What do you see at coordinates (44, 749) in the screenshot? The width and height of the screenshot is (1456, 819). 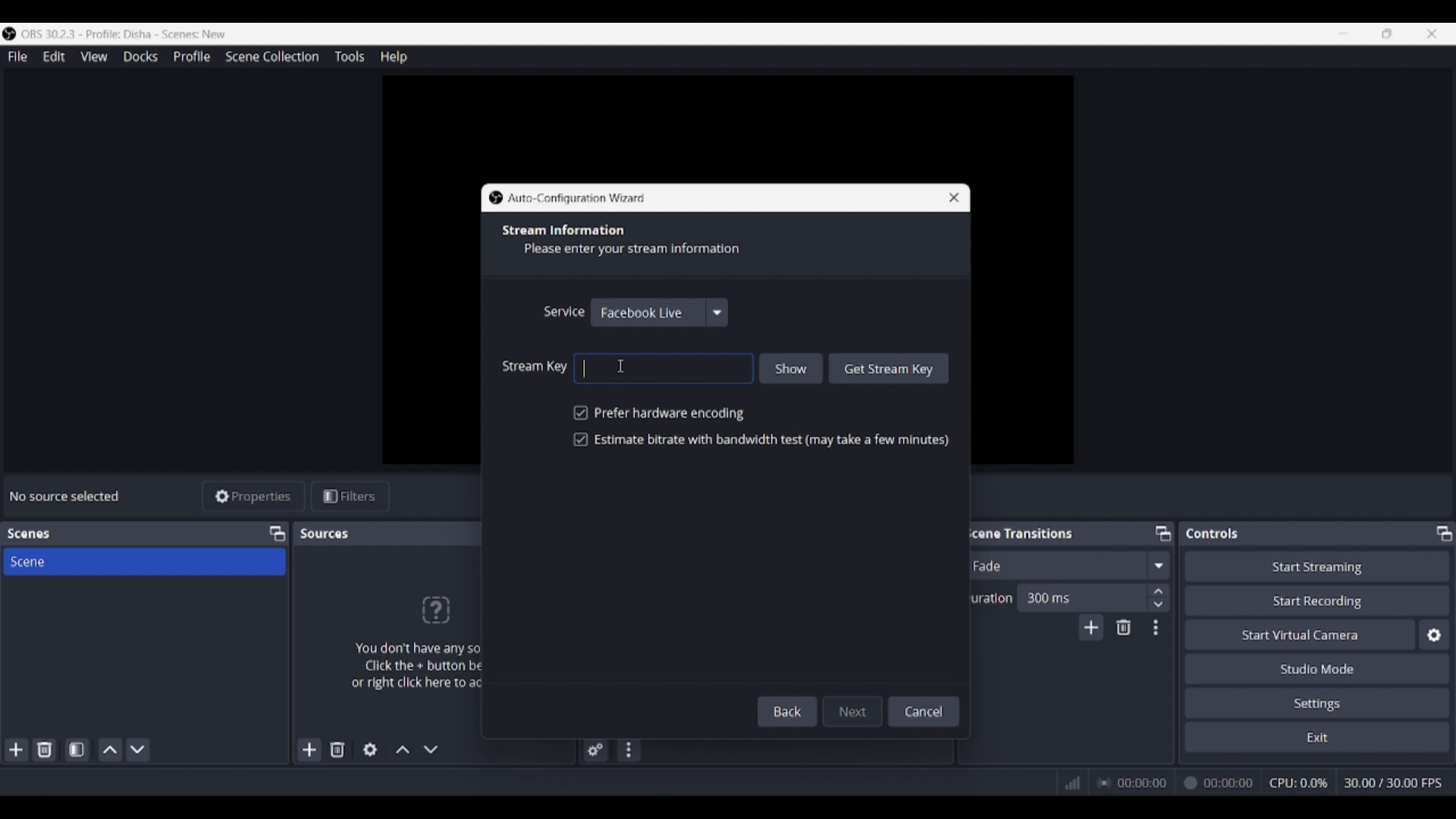 I see `Delete selected scene` at bounding box center [44, 749].